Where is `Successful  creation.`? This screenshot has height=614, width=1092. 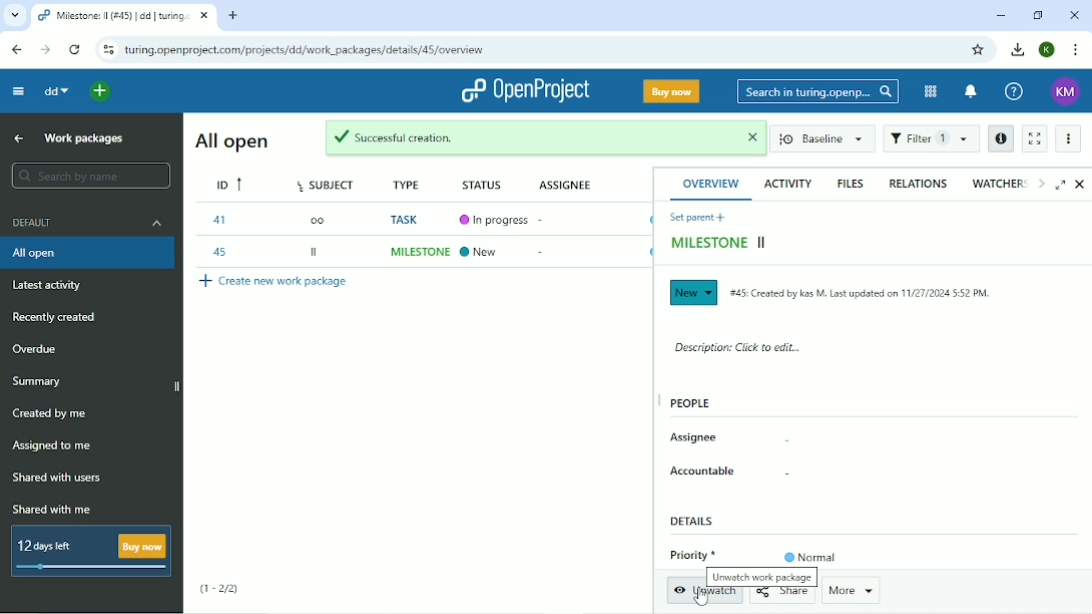
Successful  creation. is located at coordinates (526, 139).